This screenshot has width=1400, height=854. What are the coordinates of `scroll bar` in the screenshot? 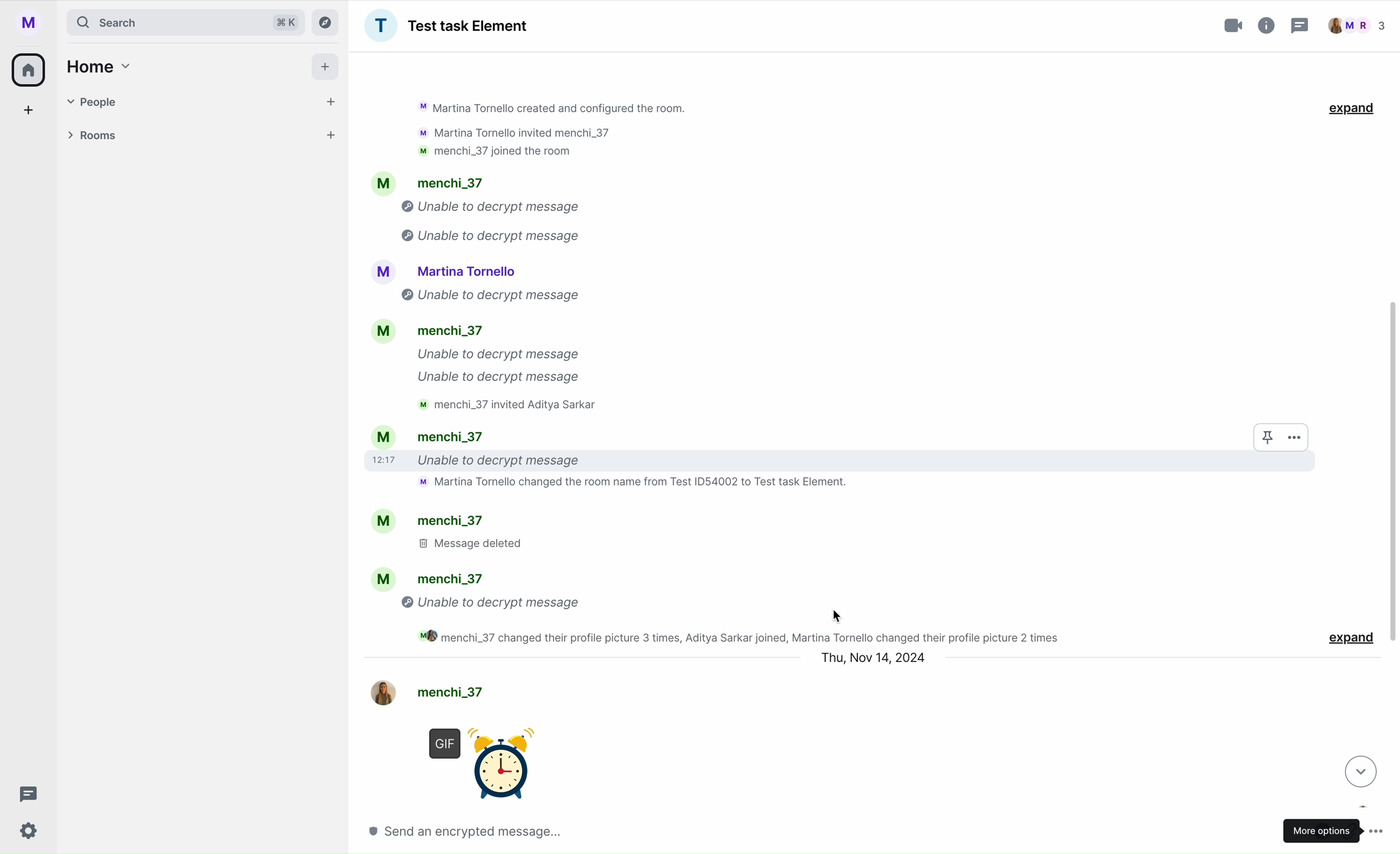 It's located at (1392, 473).